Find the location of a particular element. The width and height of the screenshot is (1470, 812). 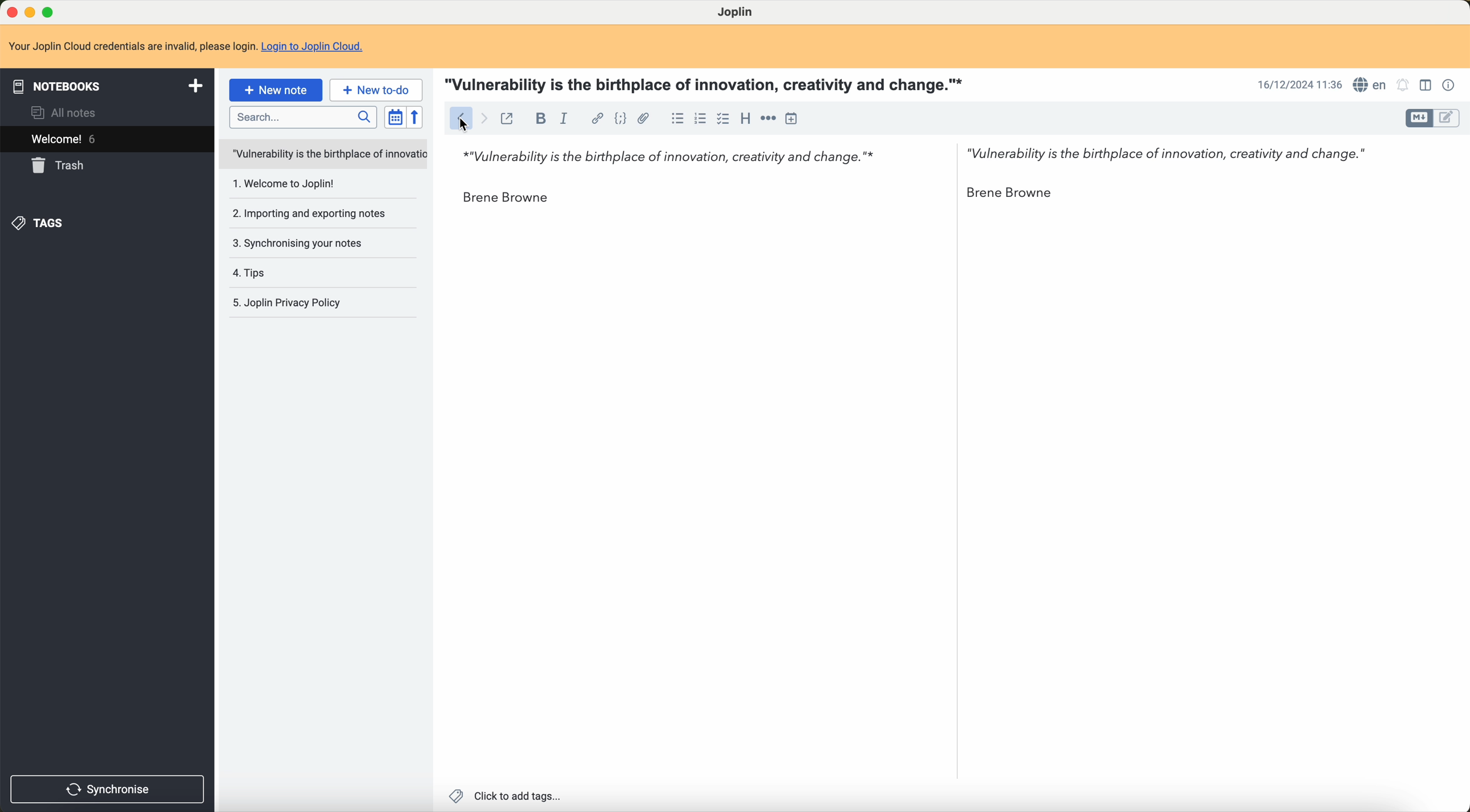

search bar is located at coordinates (301, 116).